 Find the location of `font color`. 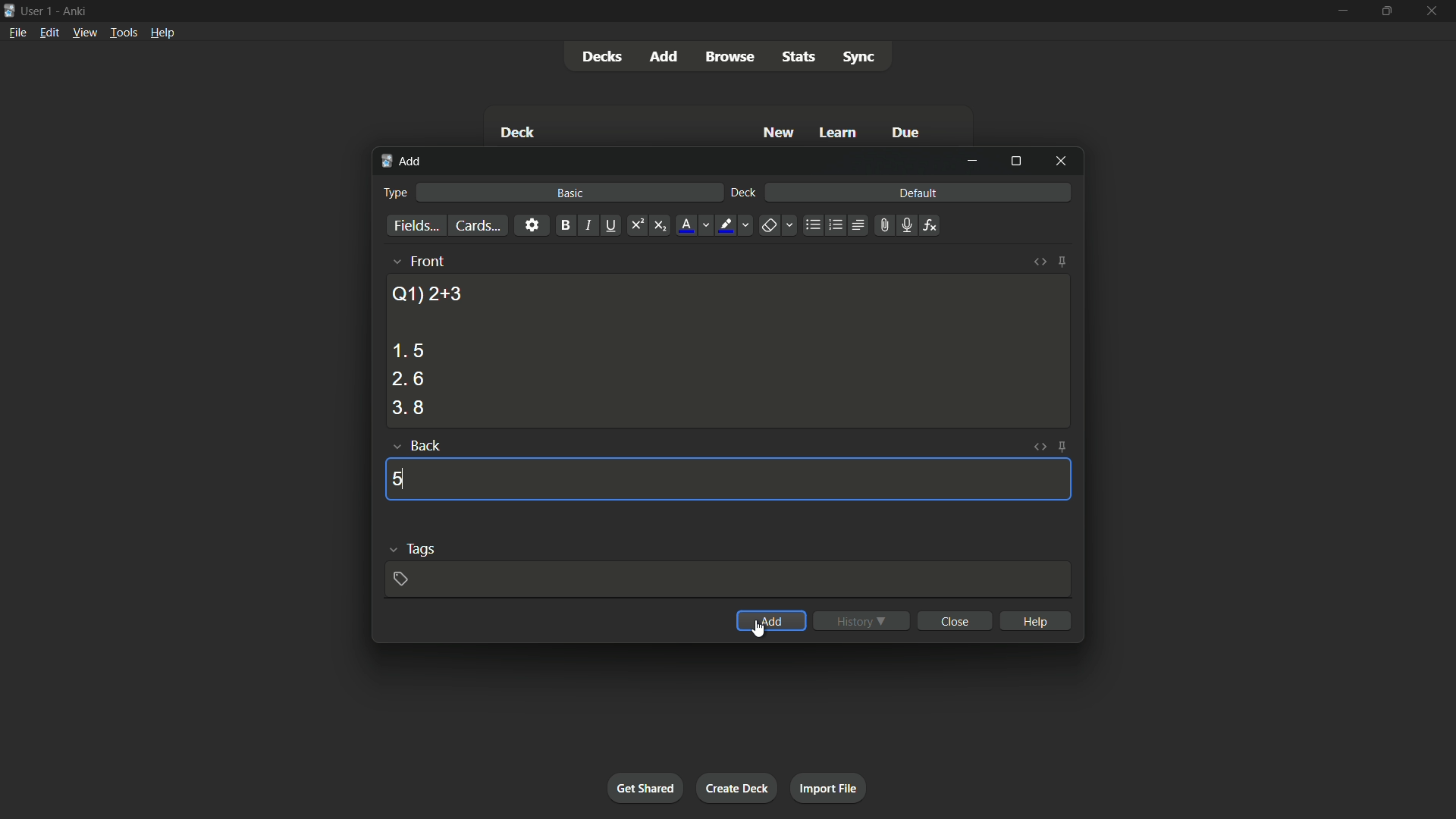

font color is located at coordinates (687, 225).